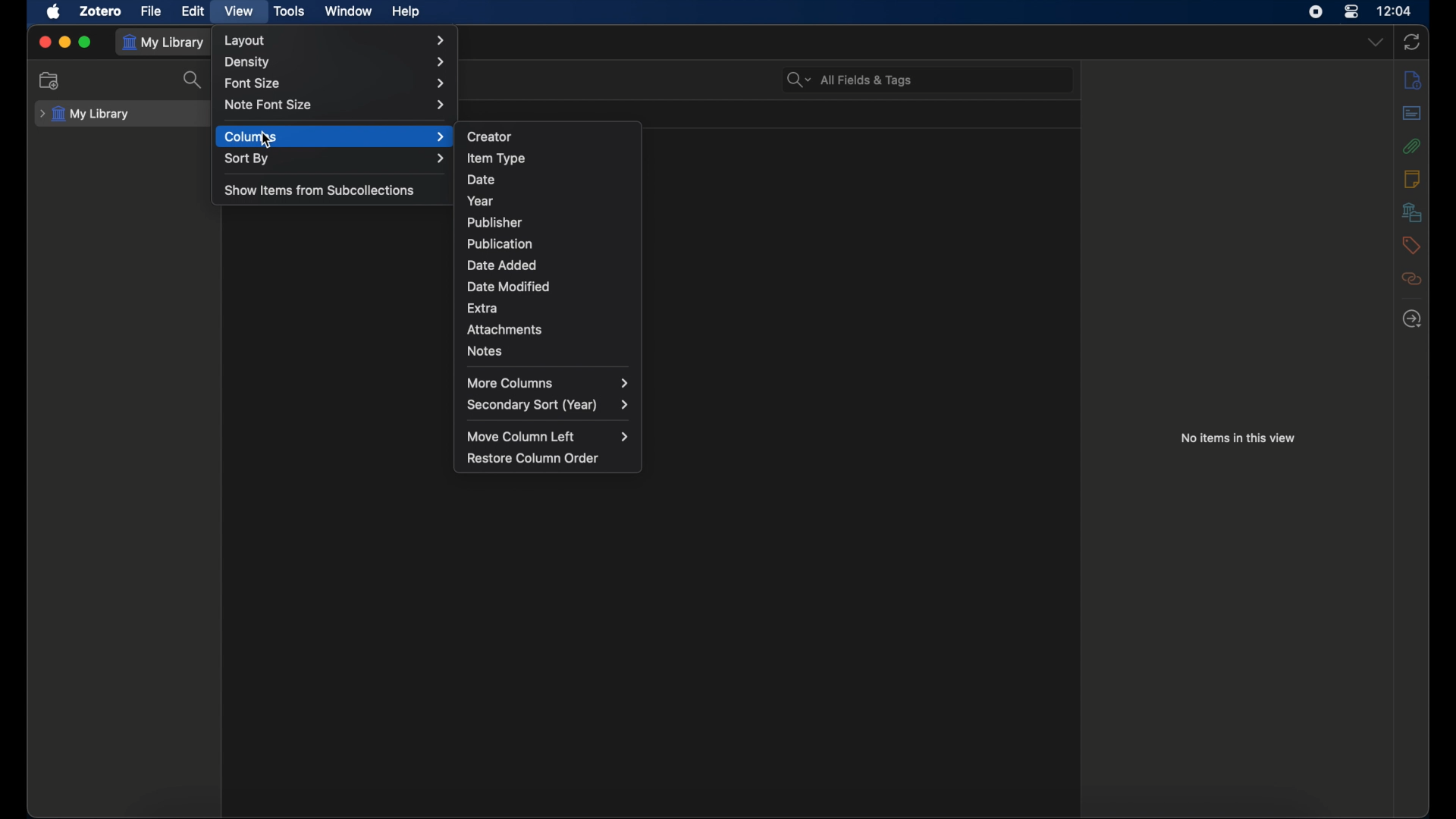 The image size is (1456, 819). I want to click on extra, so click(482, 307).